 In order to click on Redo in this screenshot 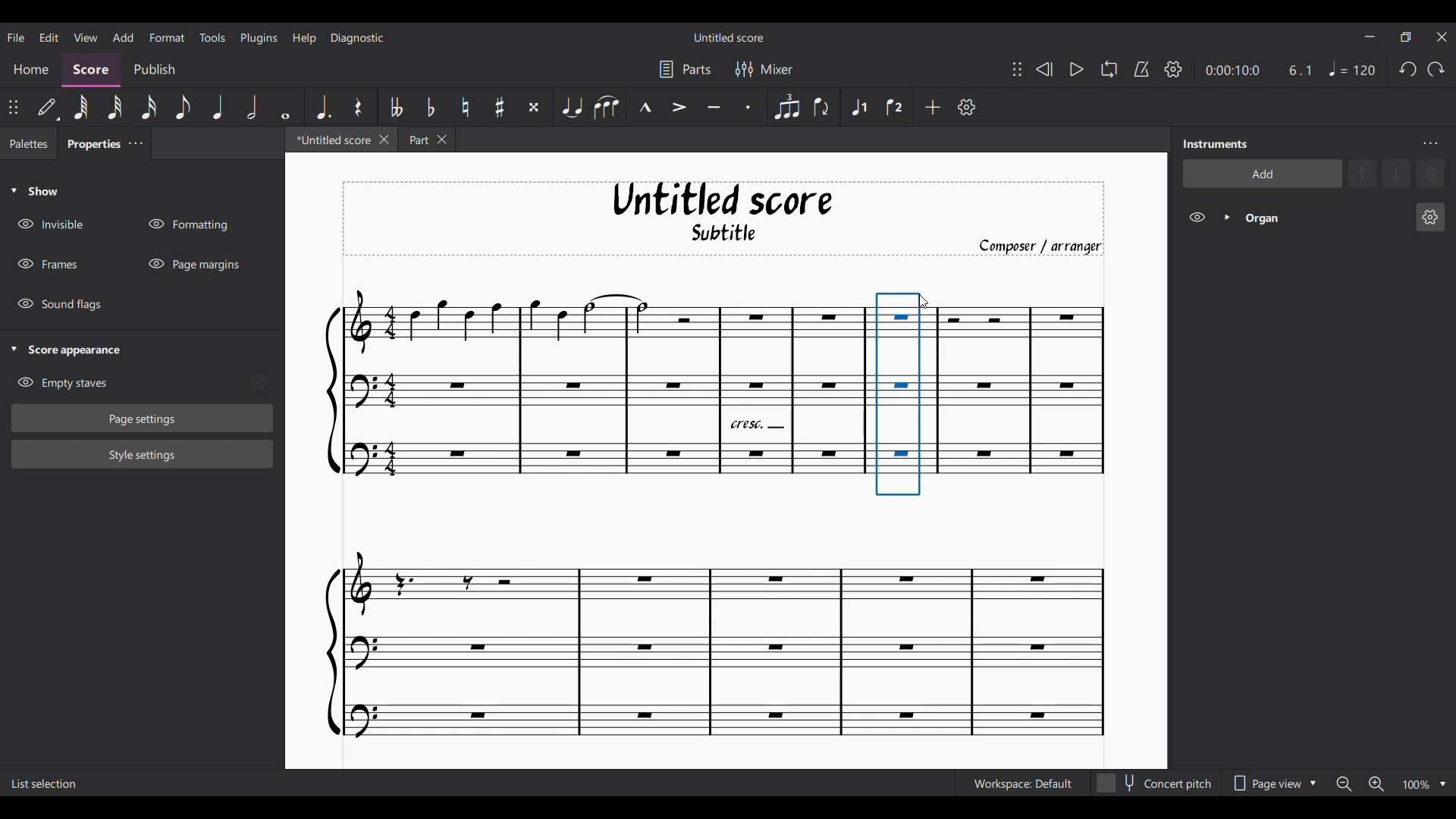, I will do `click(1436, 68)`.